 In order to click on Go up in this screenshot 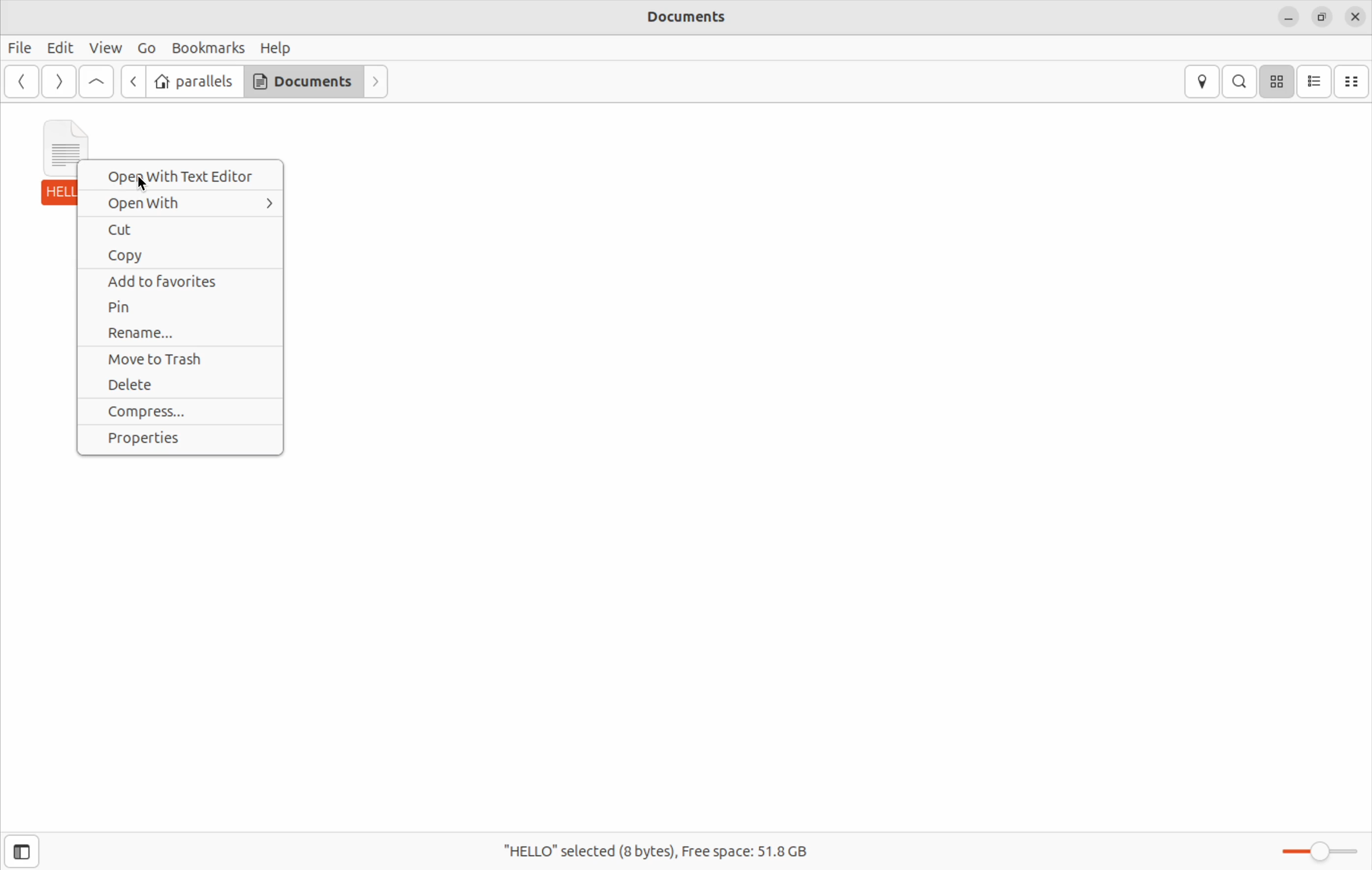, I will do `click(95, 82)`.